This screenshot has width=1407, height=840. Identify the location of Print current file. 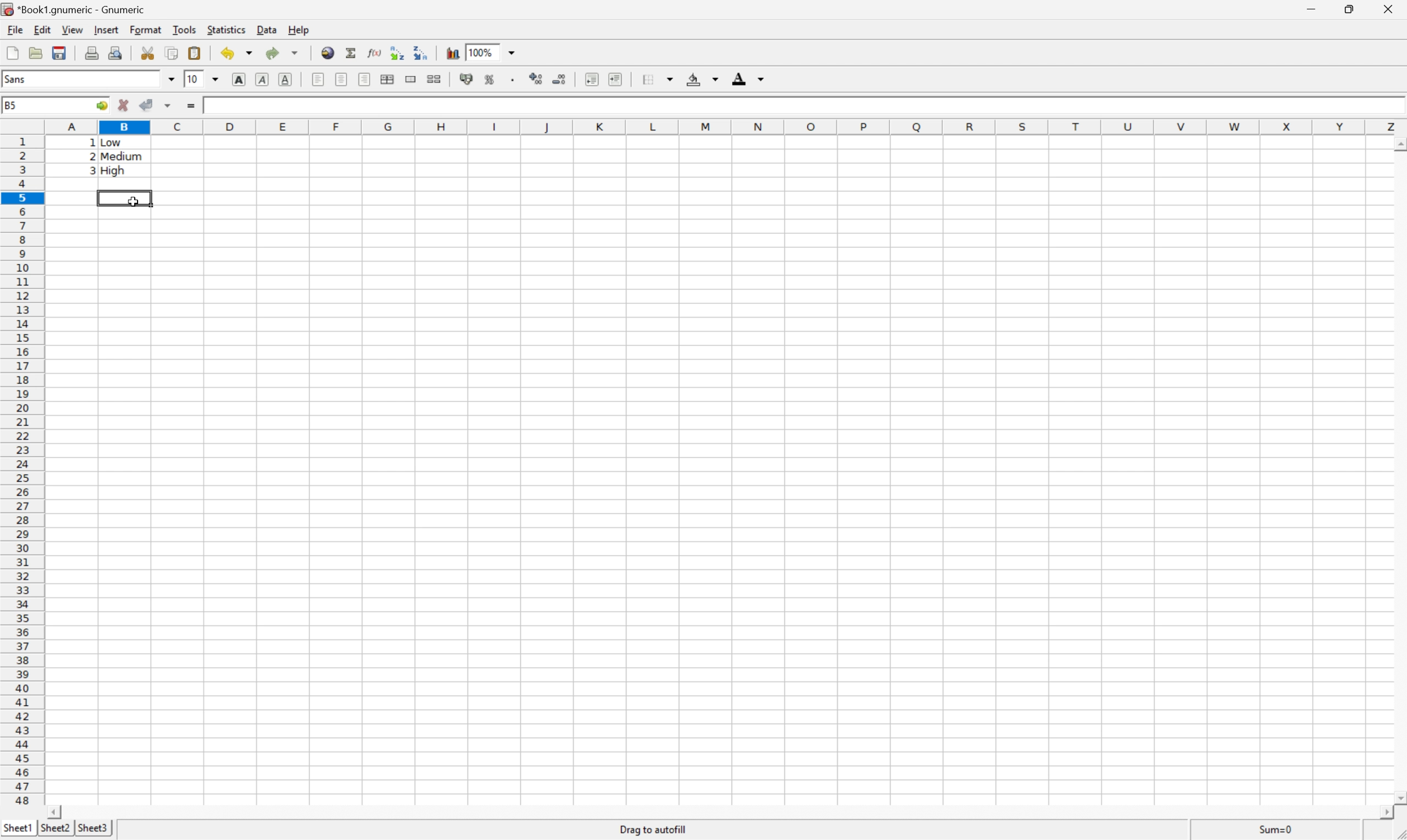
(92, 52).